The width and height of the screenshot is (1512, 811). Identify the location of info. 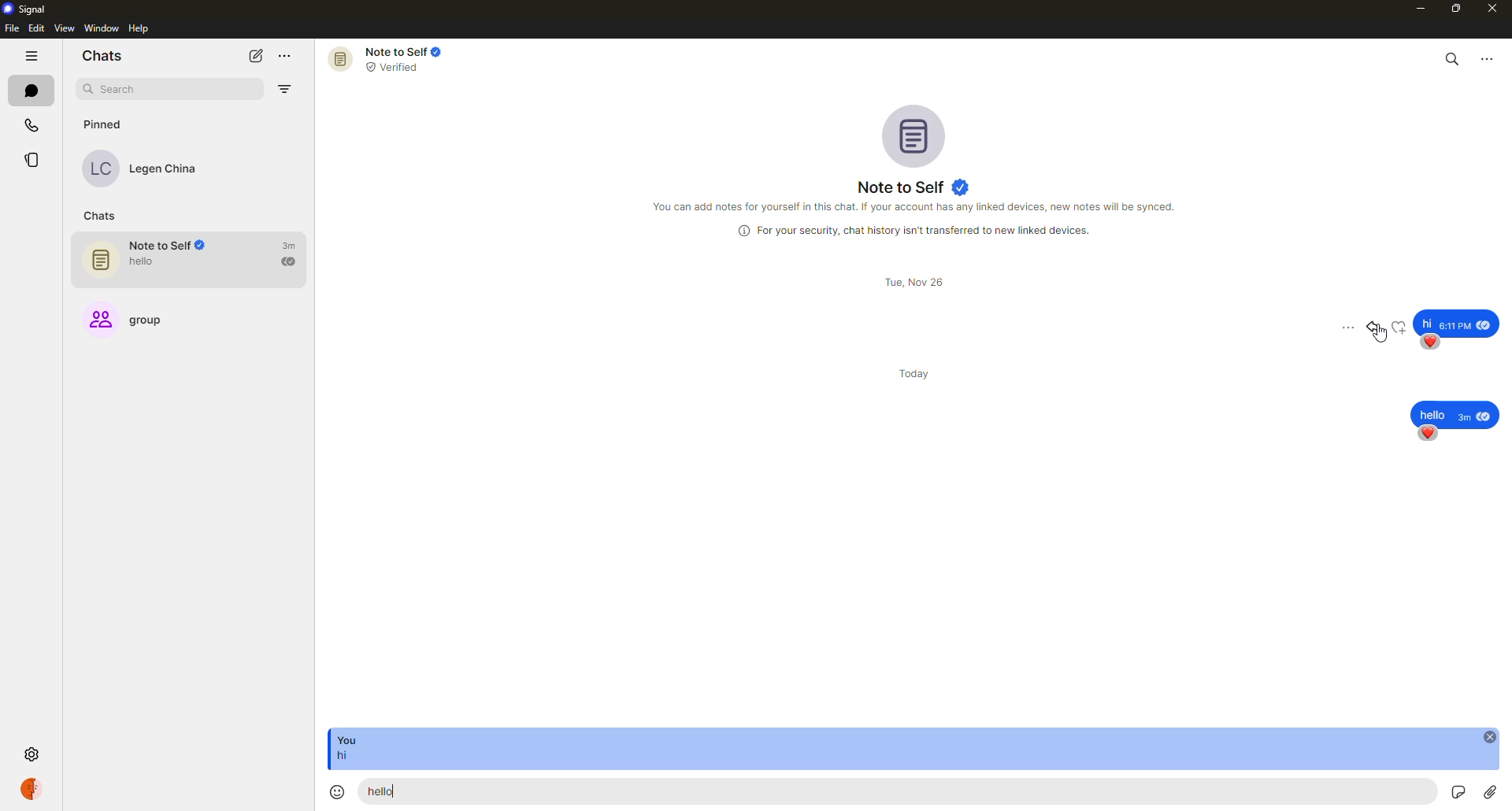
(914, 229).